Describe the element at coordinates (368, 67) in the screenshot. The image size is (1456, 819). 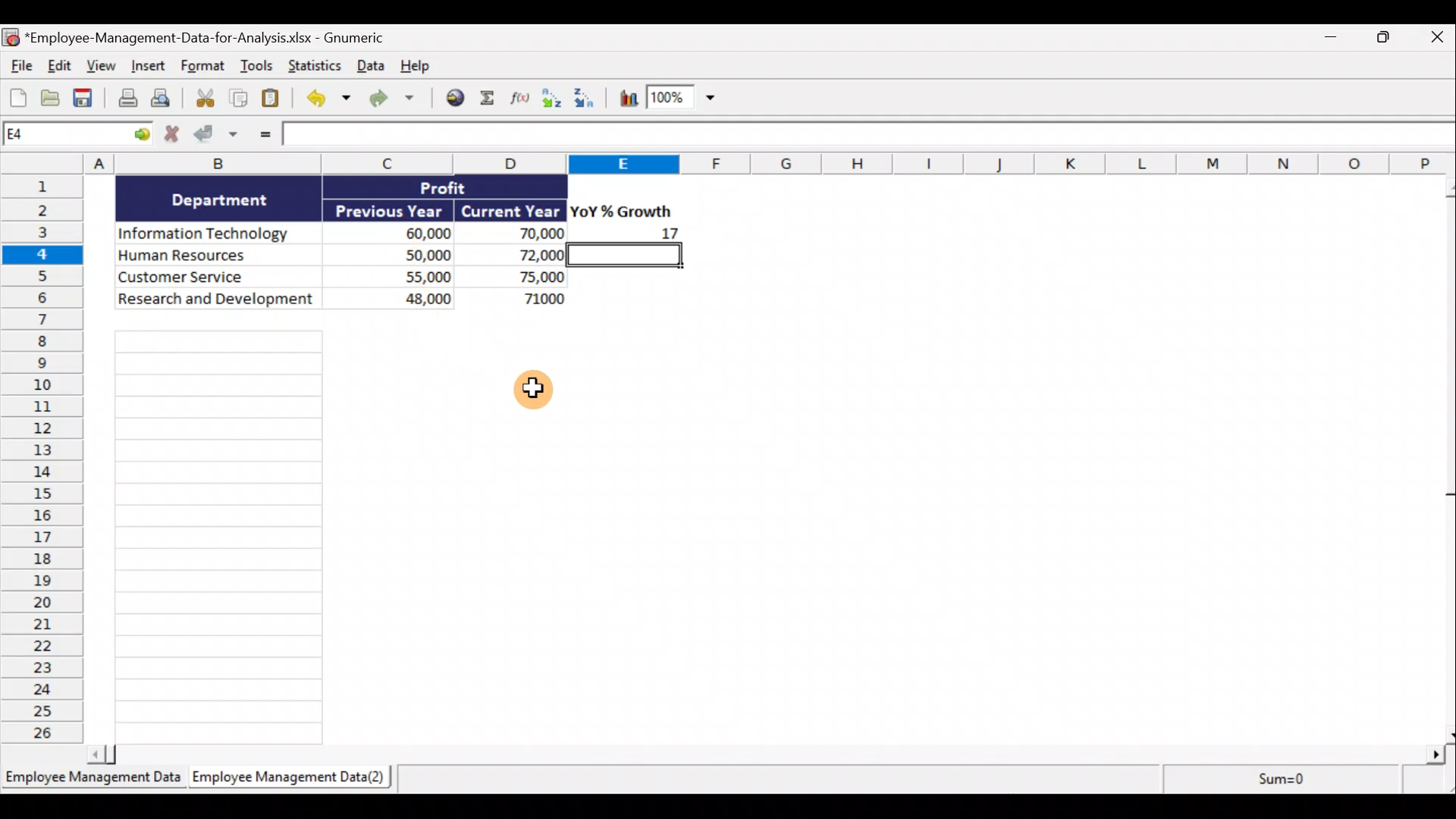
I see `Data` at that location.